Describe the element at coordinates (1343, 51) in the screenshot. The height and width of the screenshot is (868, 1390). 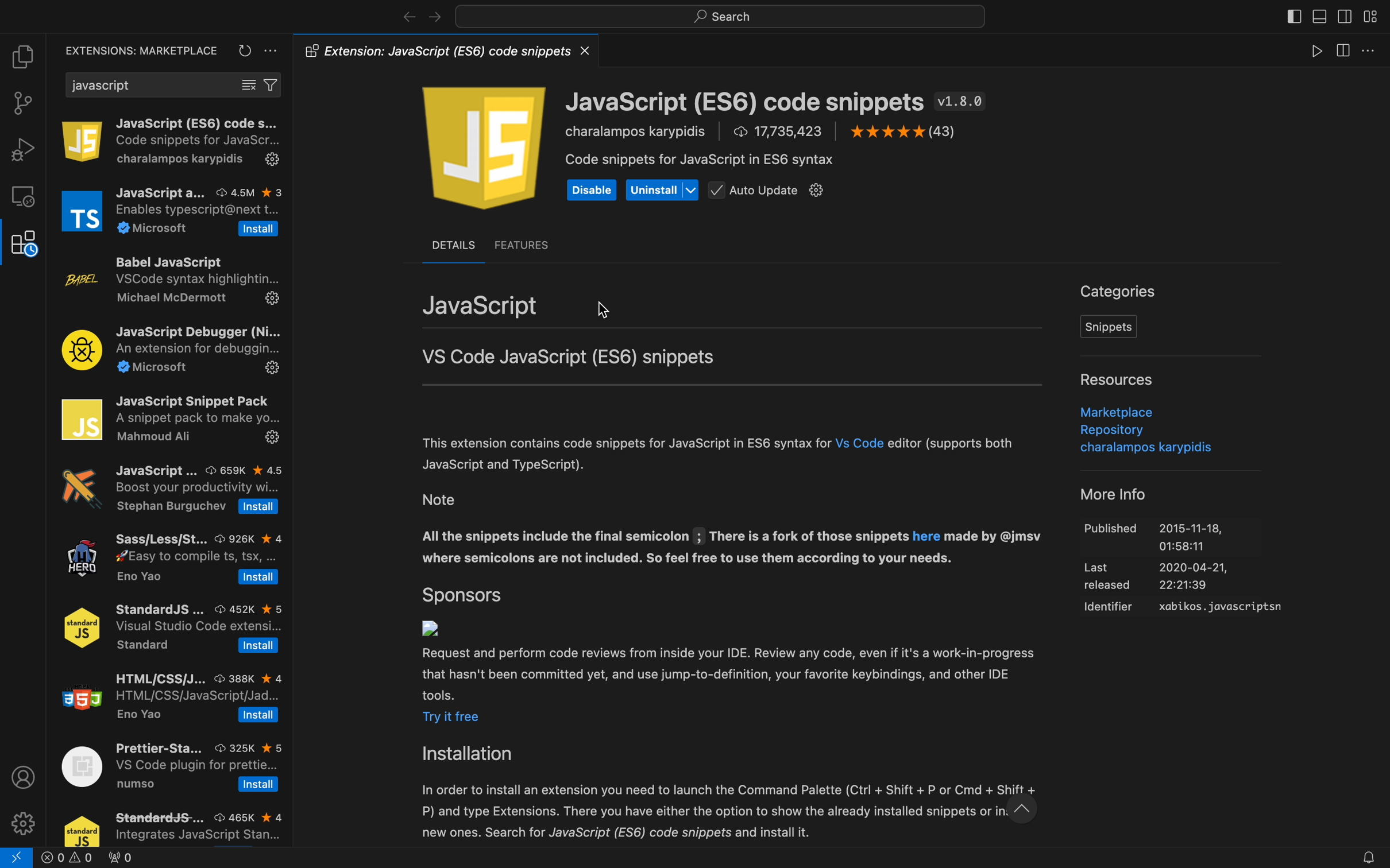
I see `view` at that location.